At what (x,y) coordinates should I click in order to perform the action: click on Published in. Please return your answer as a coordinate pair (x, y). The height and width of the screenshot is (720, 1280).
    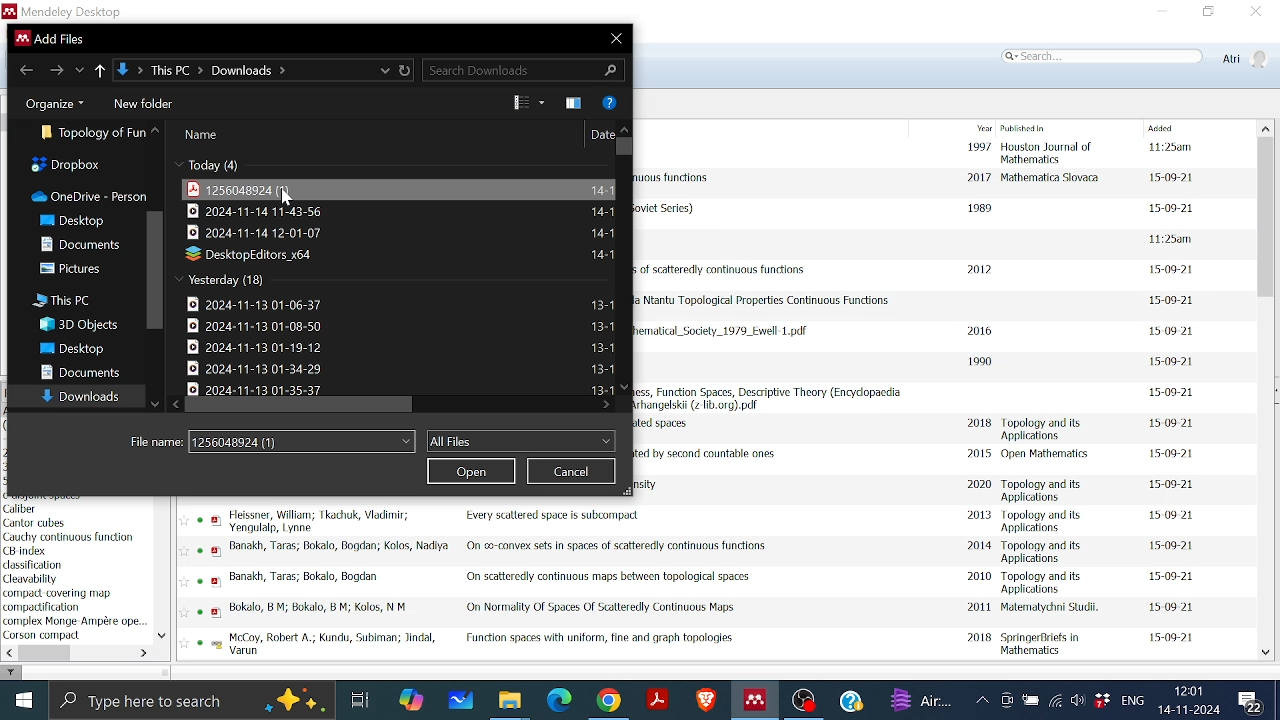
    Looking at the image, I should click on (1024, 127).